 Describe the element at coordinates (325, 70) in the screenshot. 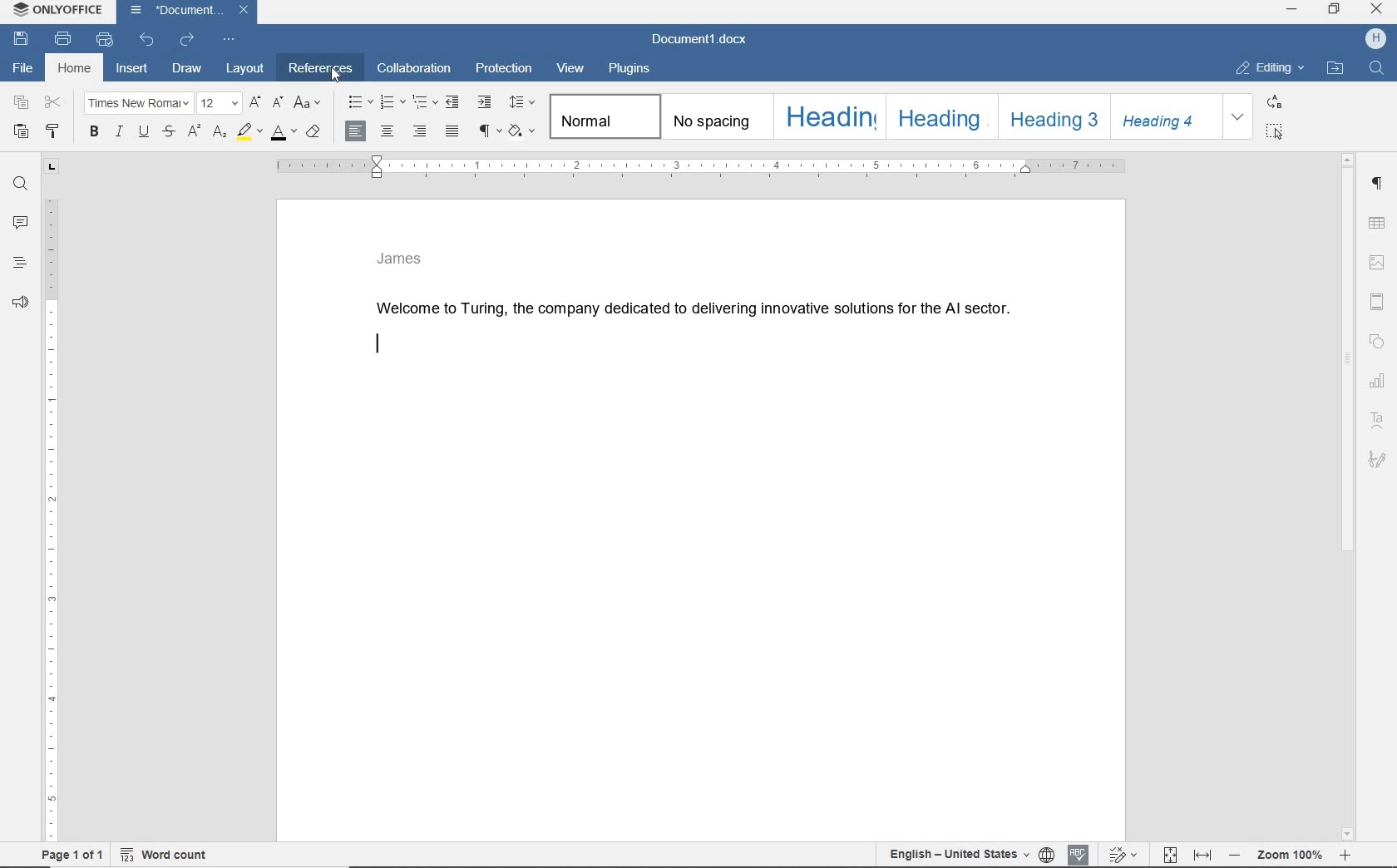

I see `Cursor` at that location.